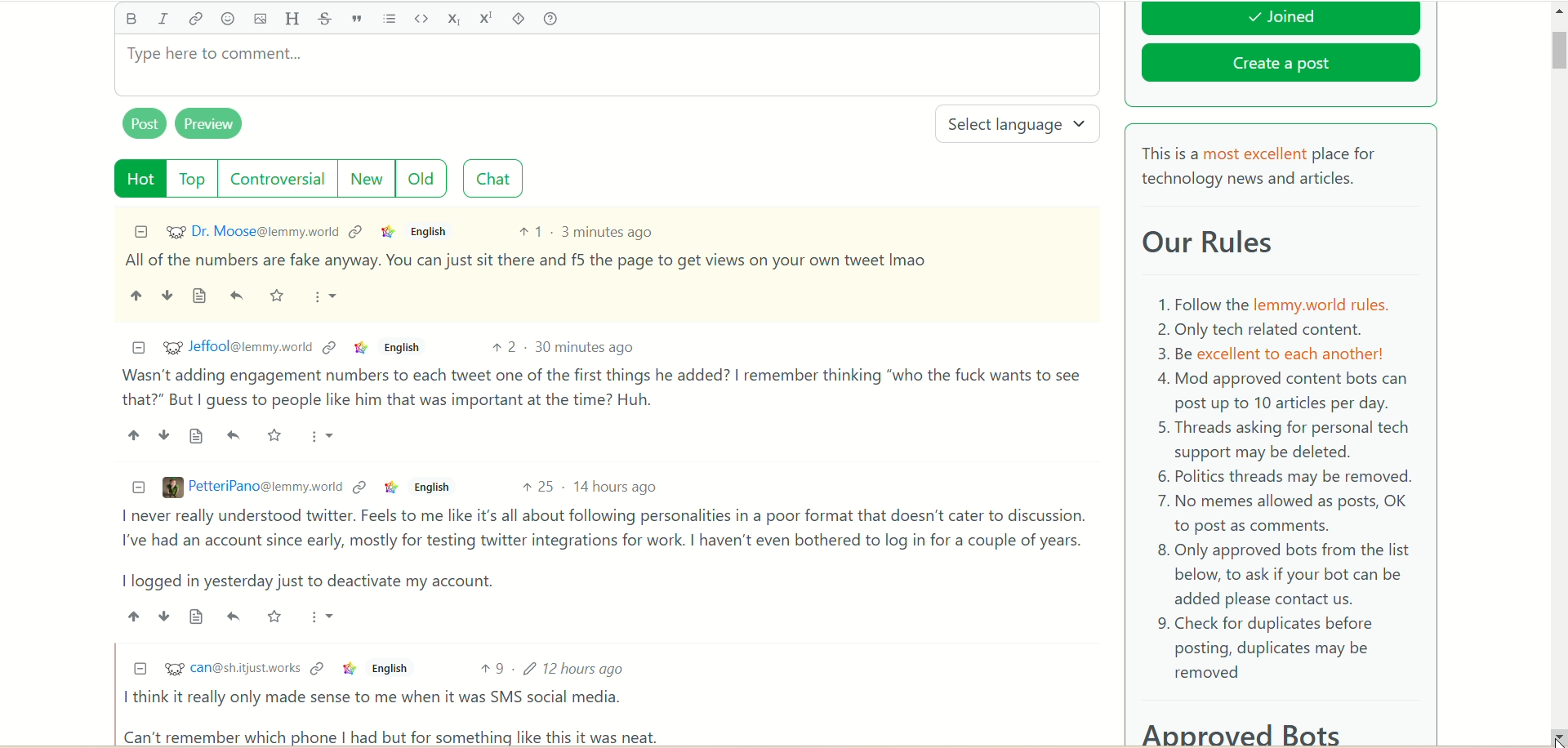 The image size is (1568, 748). I want to click on English, so click(432, 232).